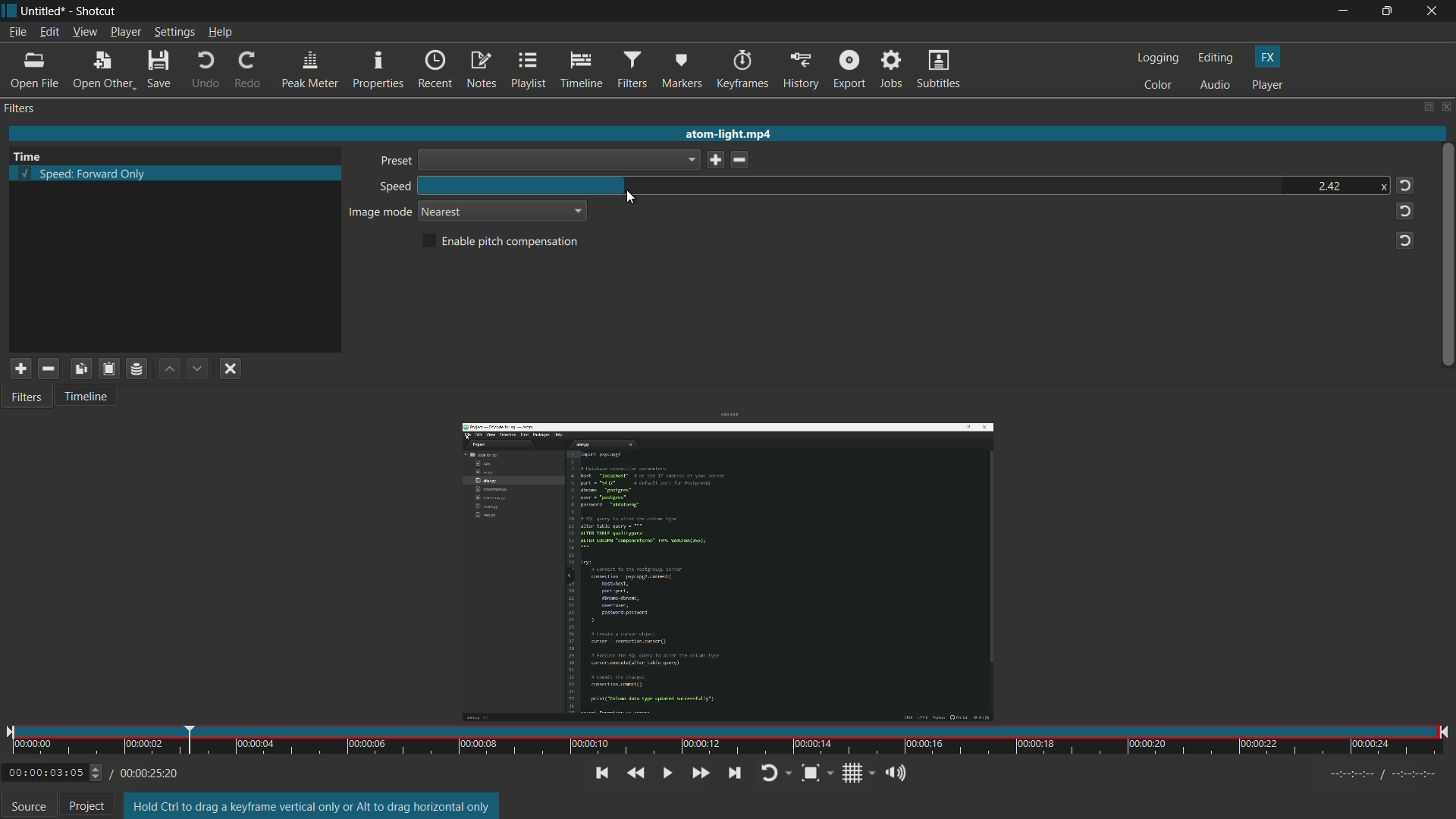 This screenshot has width=1456, height=819. Describe the element at coordinates (443, 212) in the screenshot. I see `nearest` at that location.